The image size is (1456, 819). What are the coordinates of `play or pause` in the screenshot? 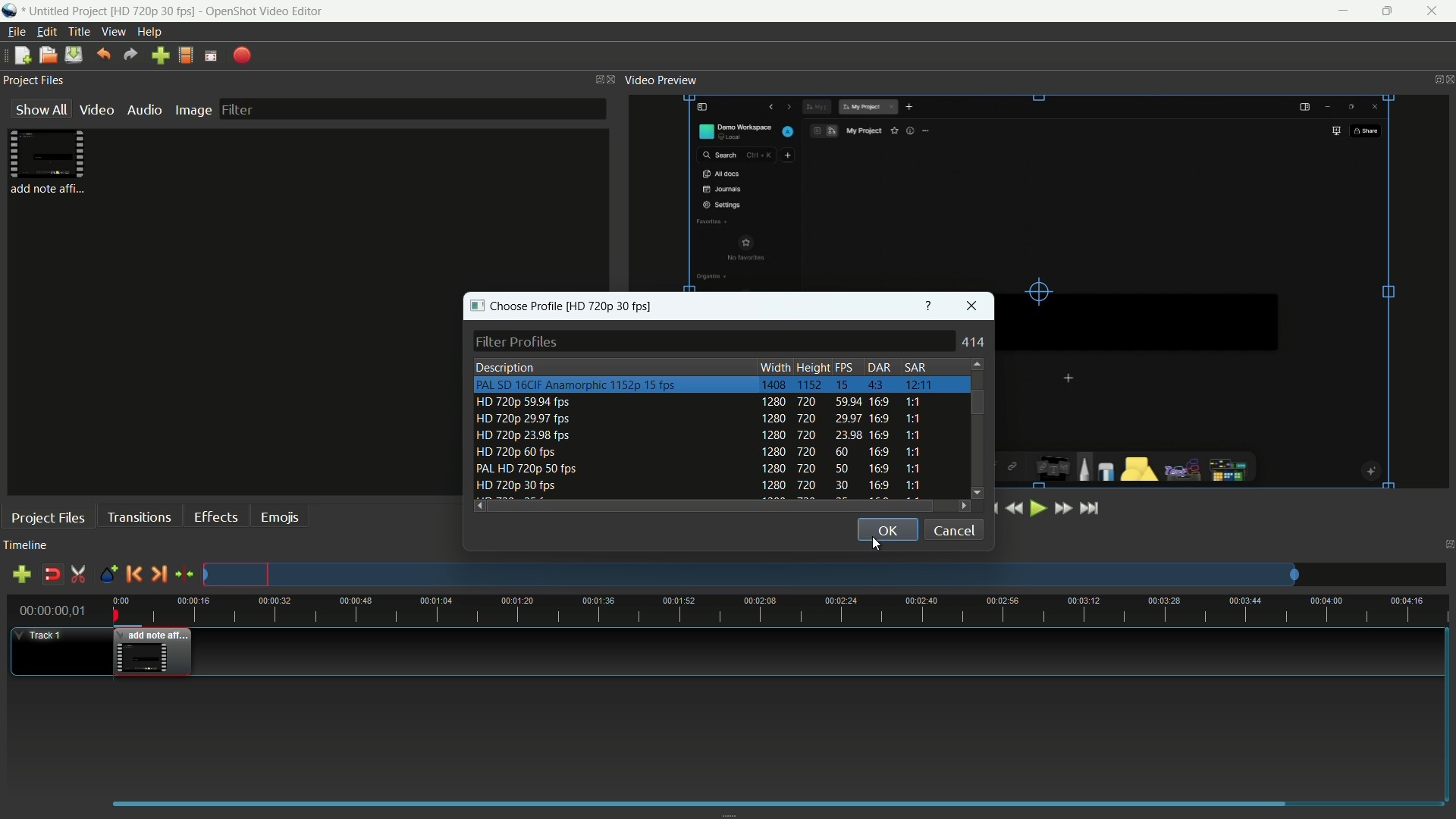 It's located at (1037, 510).